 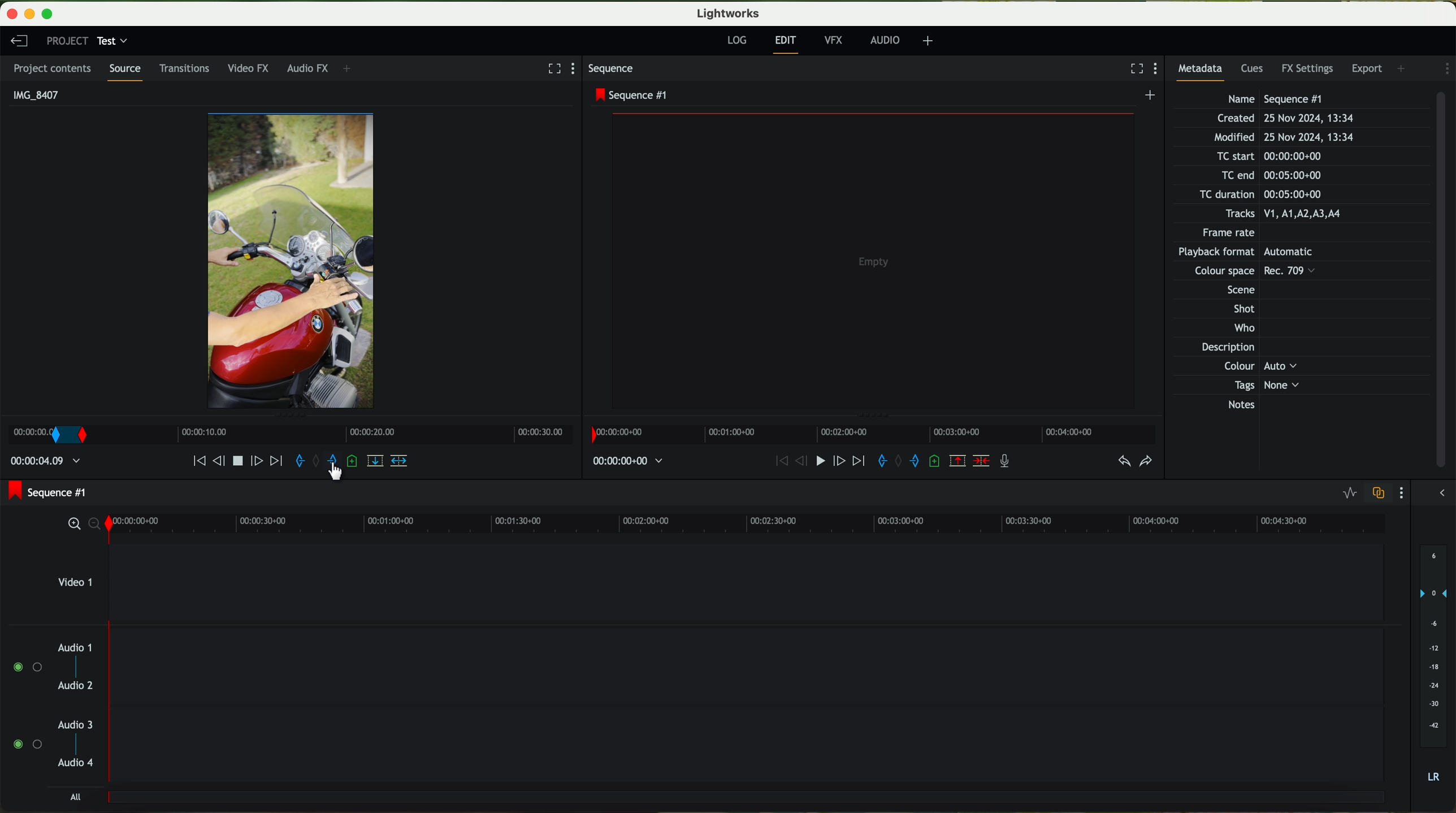 What do you see at coordinates (75, 647) in the screenshot?
I see `audio 1` at bounding box center [75, 647].